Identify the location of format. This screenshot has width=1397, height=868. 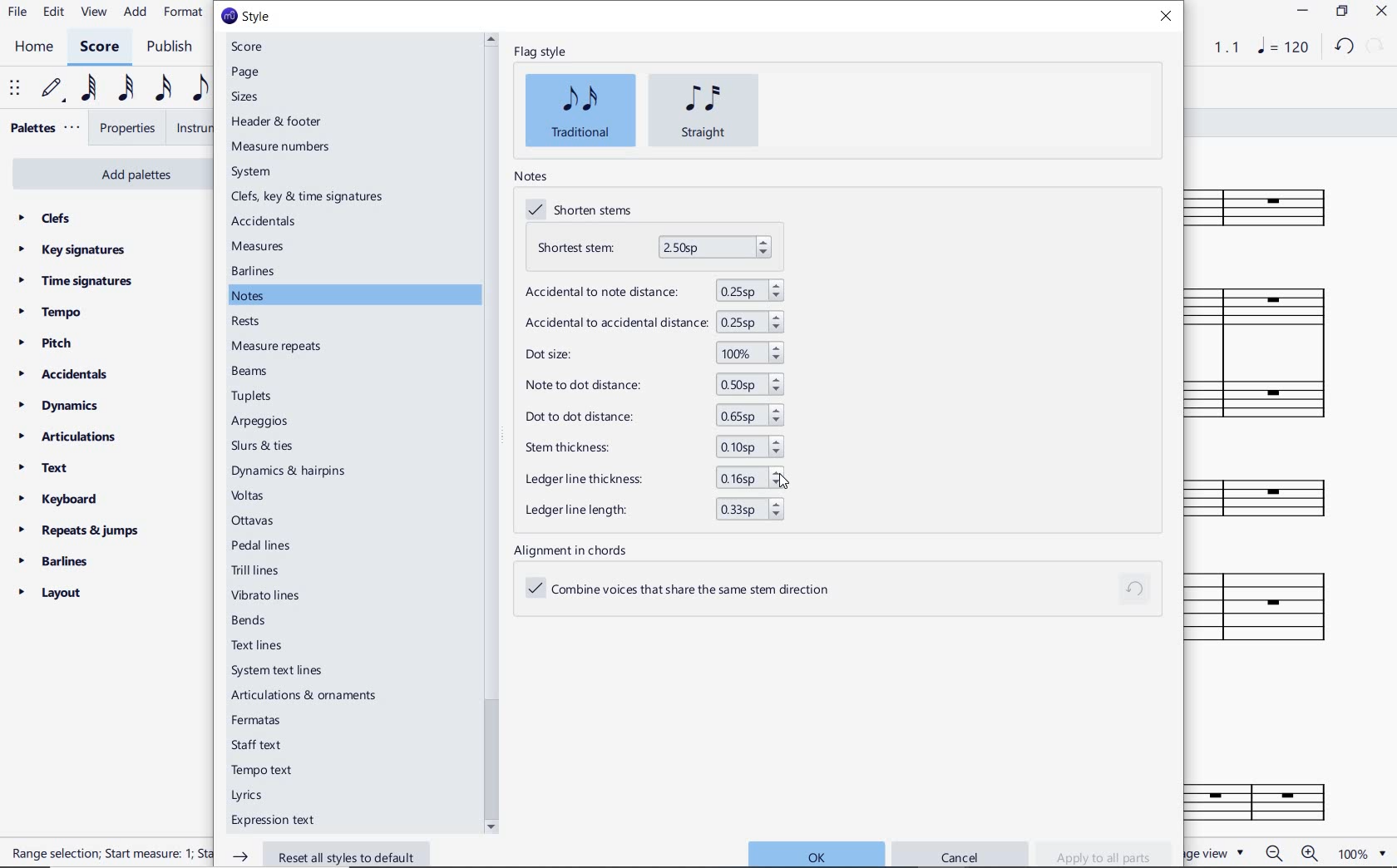
(183, 13).